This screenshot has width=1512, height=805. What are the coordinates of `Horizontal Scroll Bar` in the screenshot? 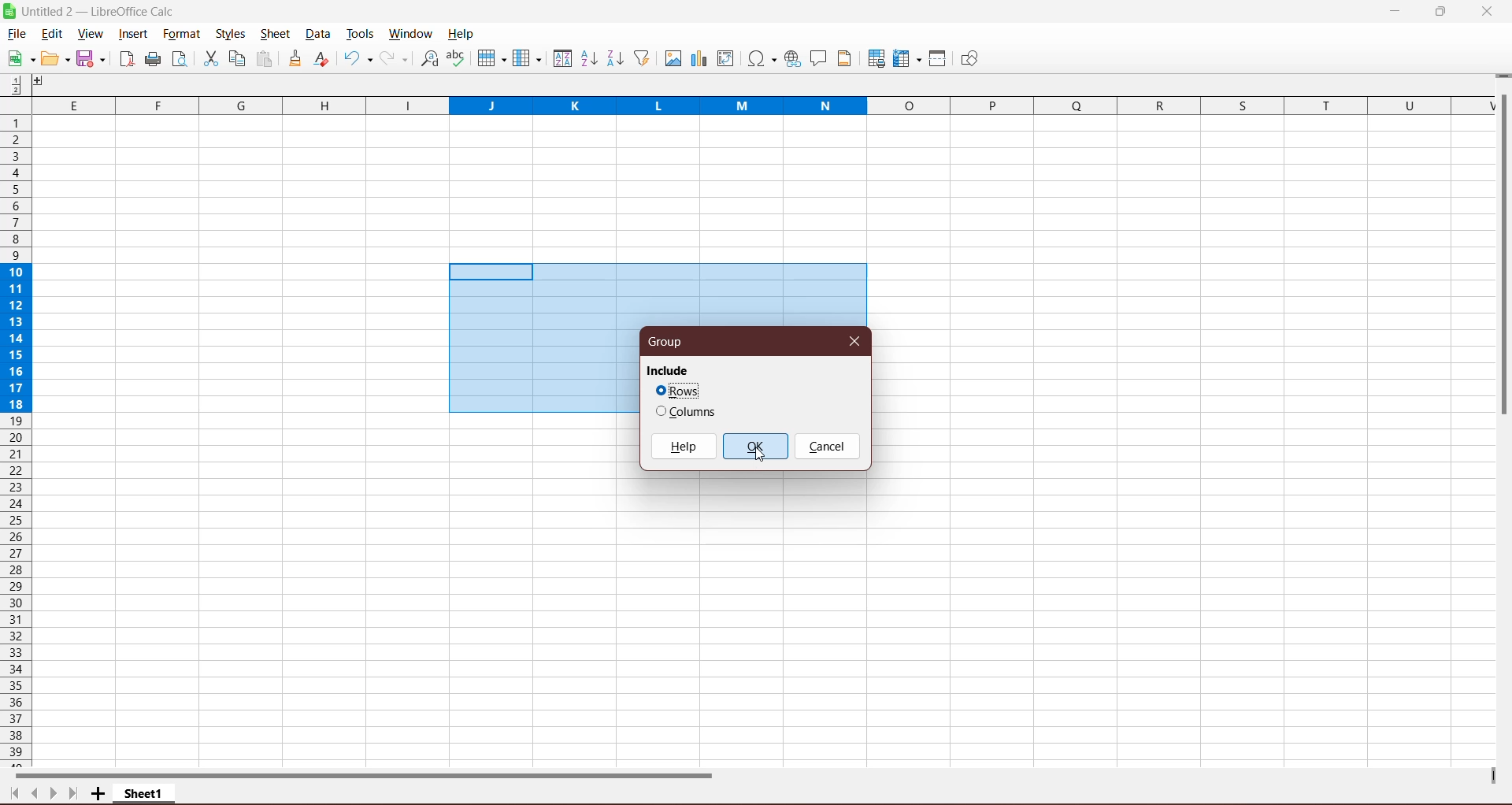 It's located at (374, 774).